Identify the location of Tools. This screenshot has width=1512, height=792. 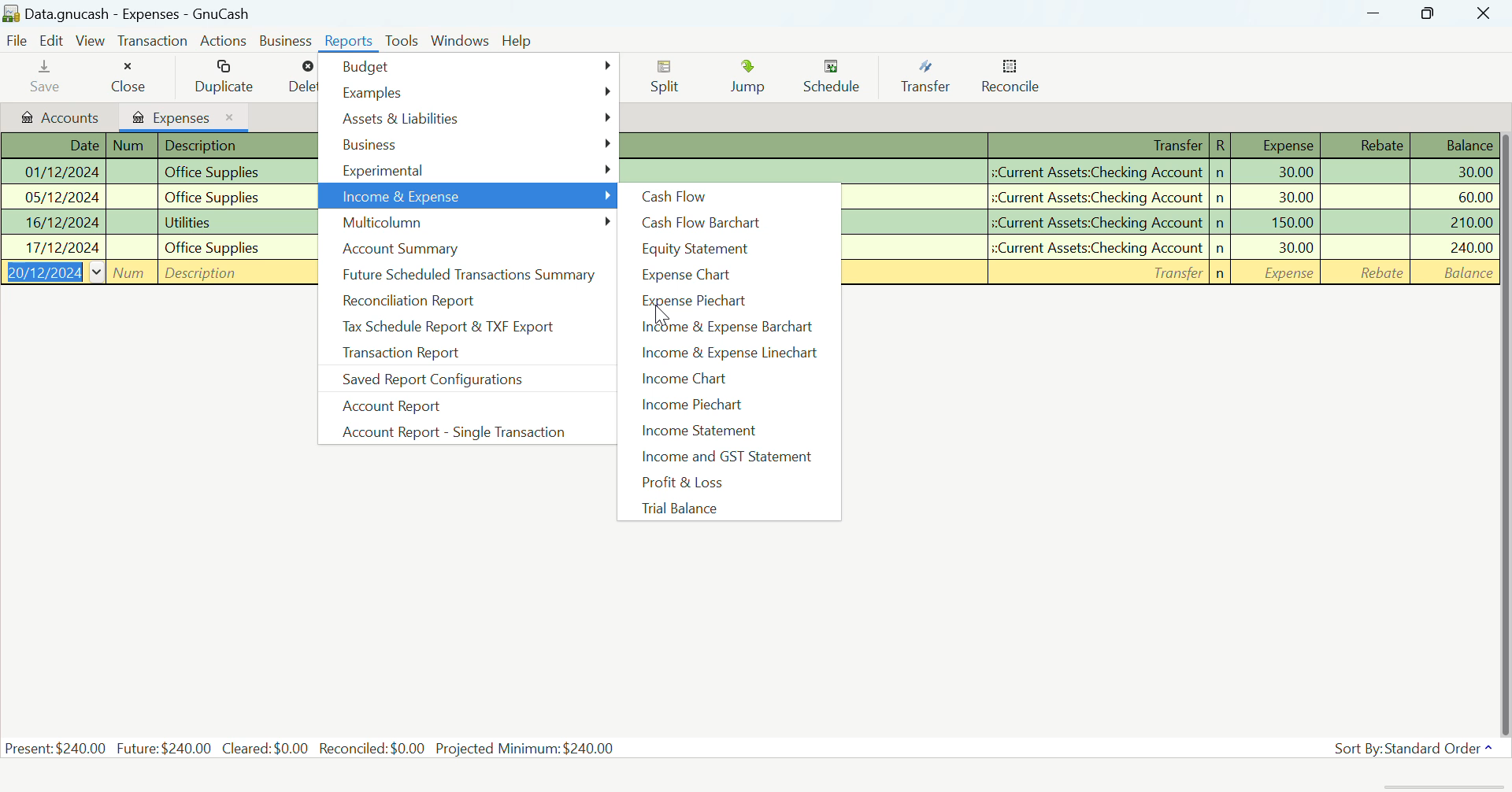
(403, 41).